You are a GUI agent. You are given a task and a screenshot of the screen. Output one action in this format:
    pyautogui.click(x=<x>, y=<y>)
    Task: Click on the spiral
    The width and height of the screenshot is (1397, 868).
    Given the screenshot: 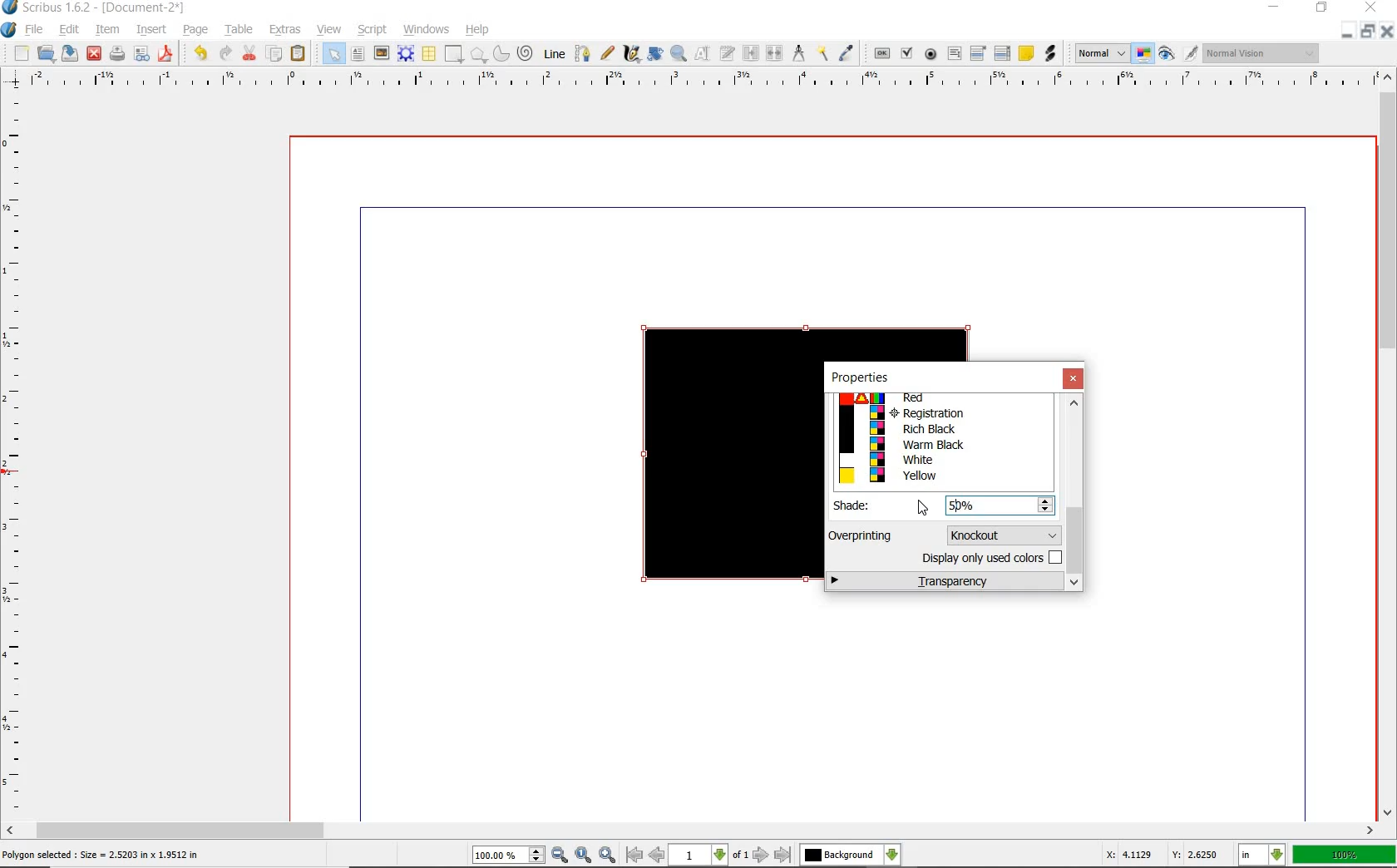 What is the action you would take?
    pyautogui.click(x=527, y=55)
    